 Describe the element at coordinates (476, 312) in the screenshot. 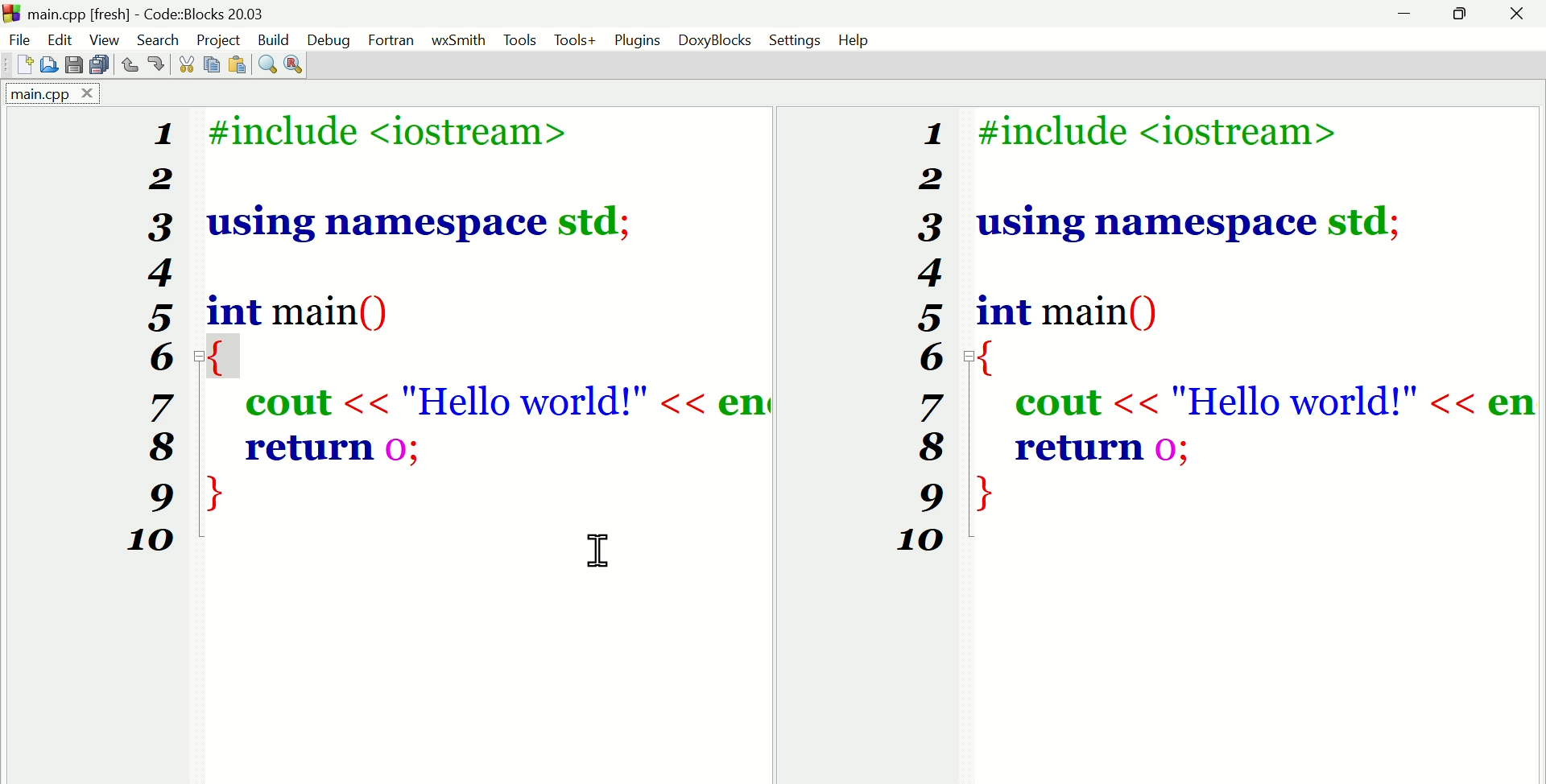

I see `#include <iostream>
using namespace std;
int main()
i
cout << "Hello world!" << en
return o;
}` at that location.